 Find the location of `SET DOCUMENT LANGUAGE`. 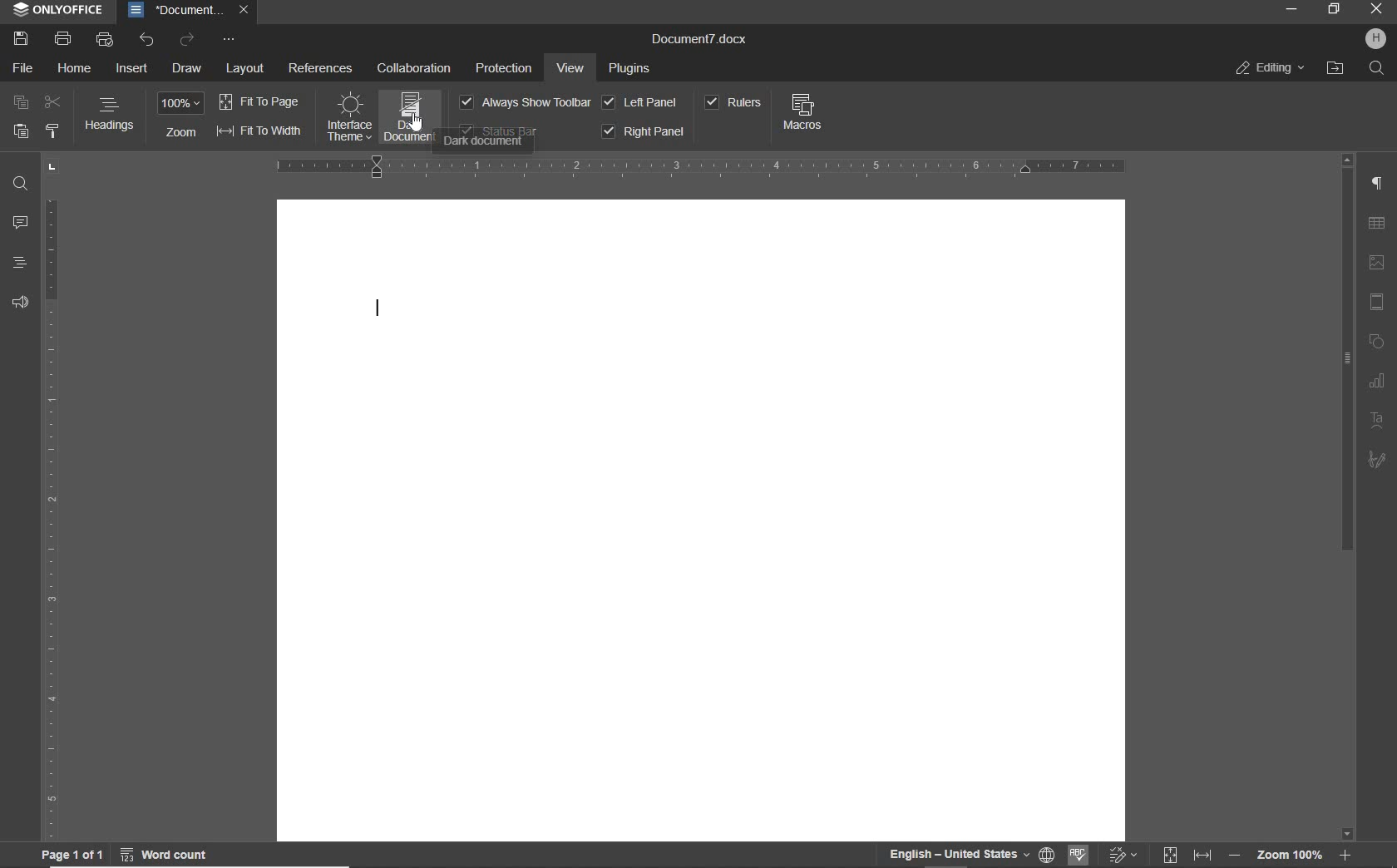

SET DOCUMENT LANGUAGE is located at coordinates (1045, 854).